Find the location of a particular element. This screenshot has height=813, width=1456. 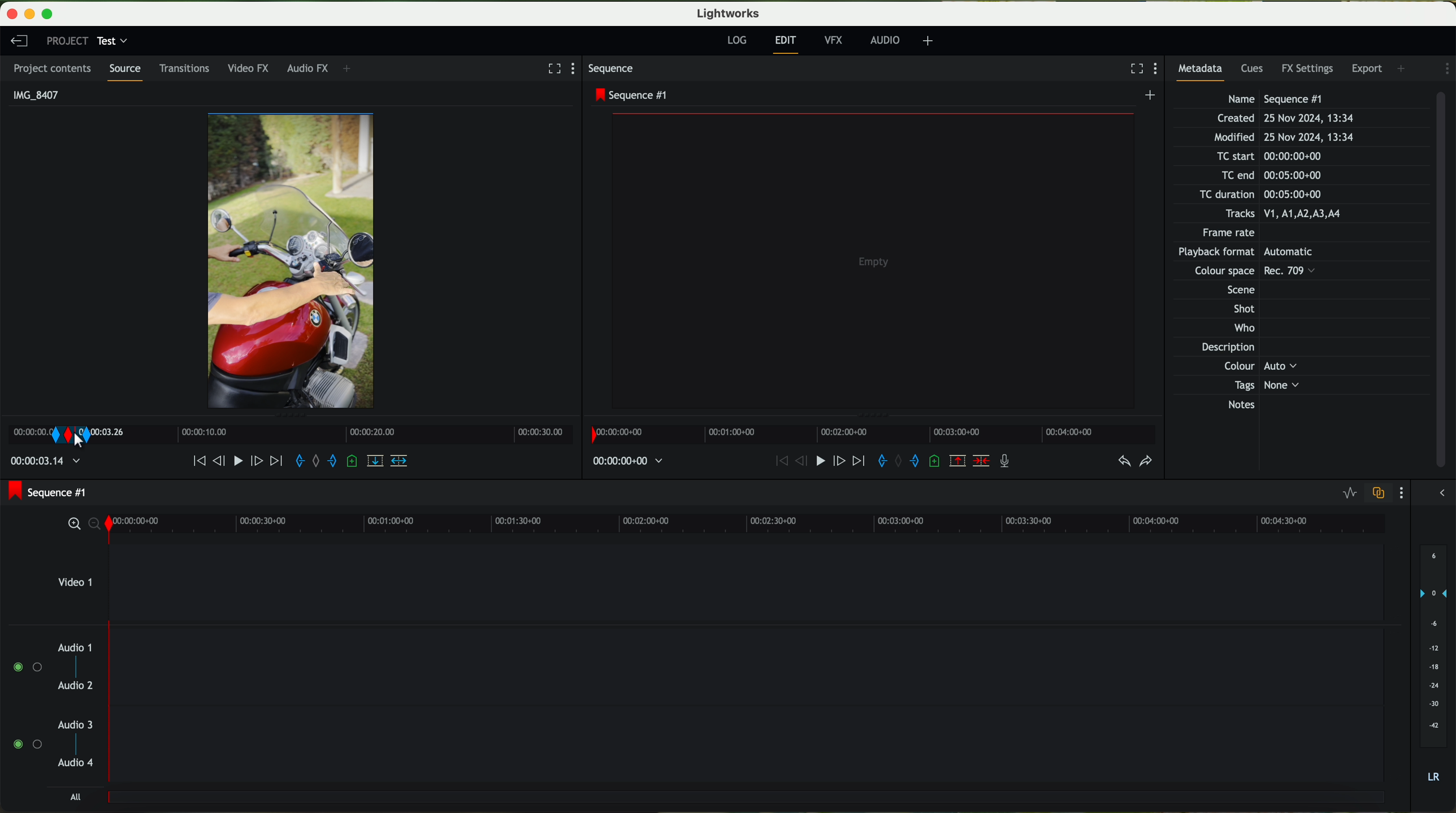

TC end is located at coordinates (1286, 176).